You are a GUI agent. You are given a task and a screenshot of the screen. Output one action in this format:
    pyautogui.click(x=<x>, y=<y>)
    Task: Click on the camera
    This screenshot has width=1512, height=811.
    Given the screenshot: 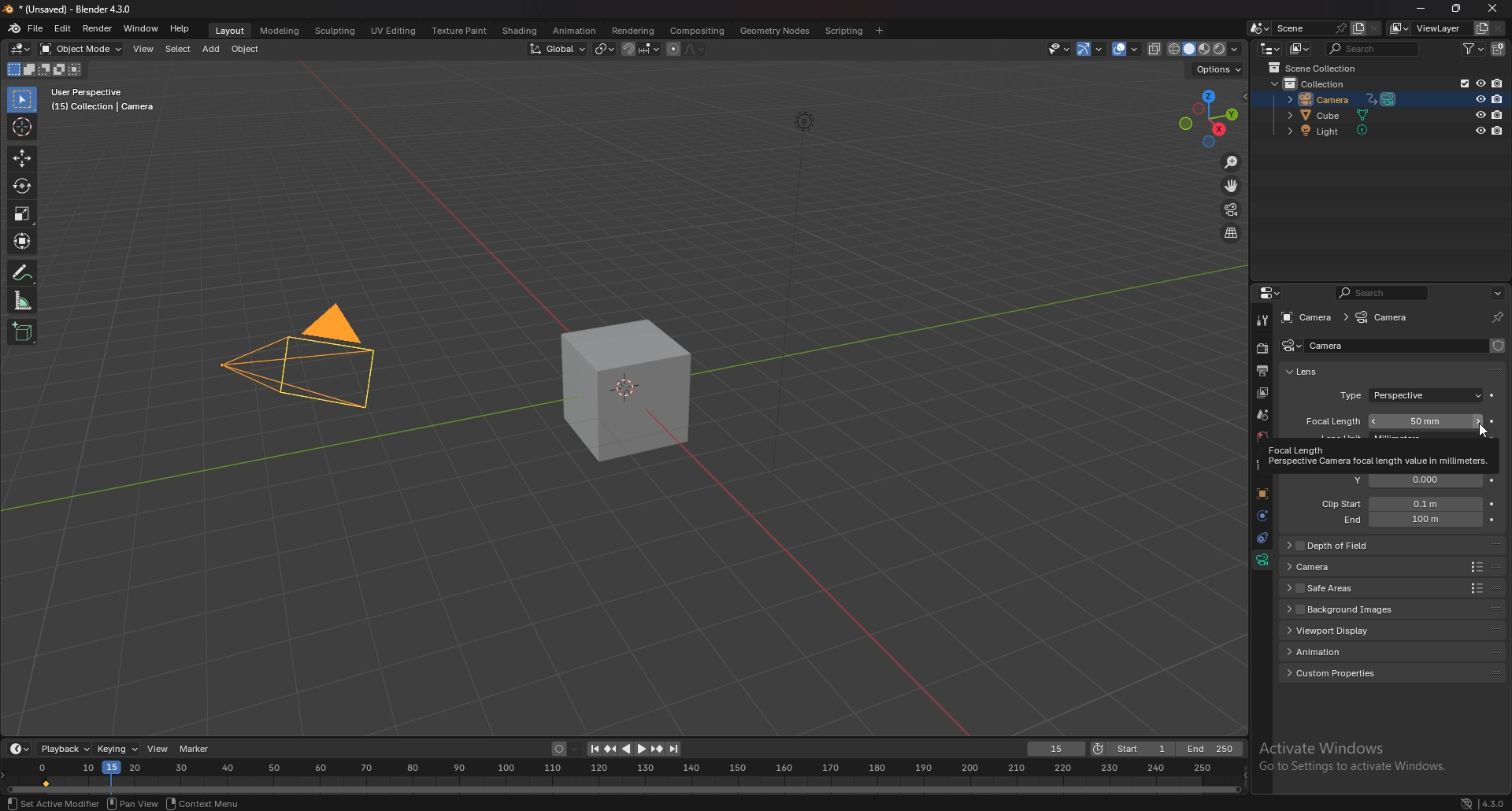 What is the action you would take?
    pyautogui.click(x=1307, y=317)
    